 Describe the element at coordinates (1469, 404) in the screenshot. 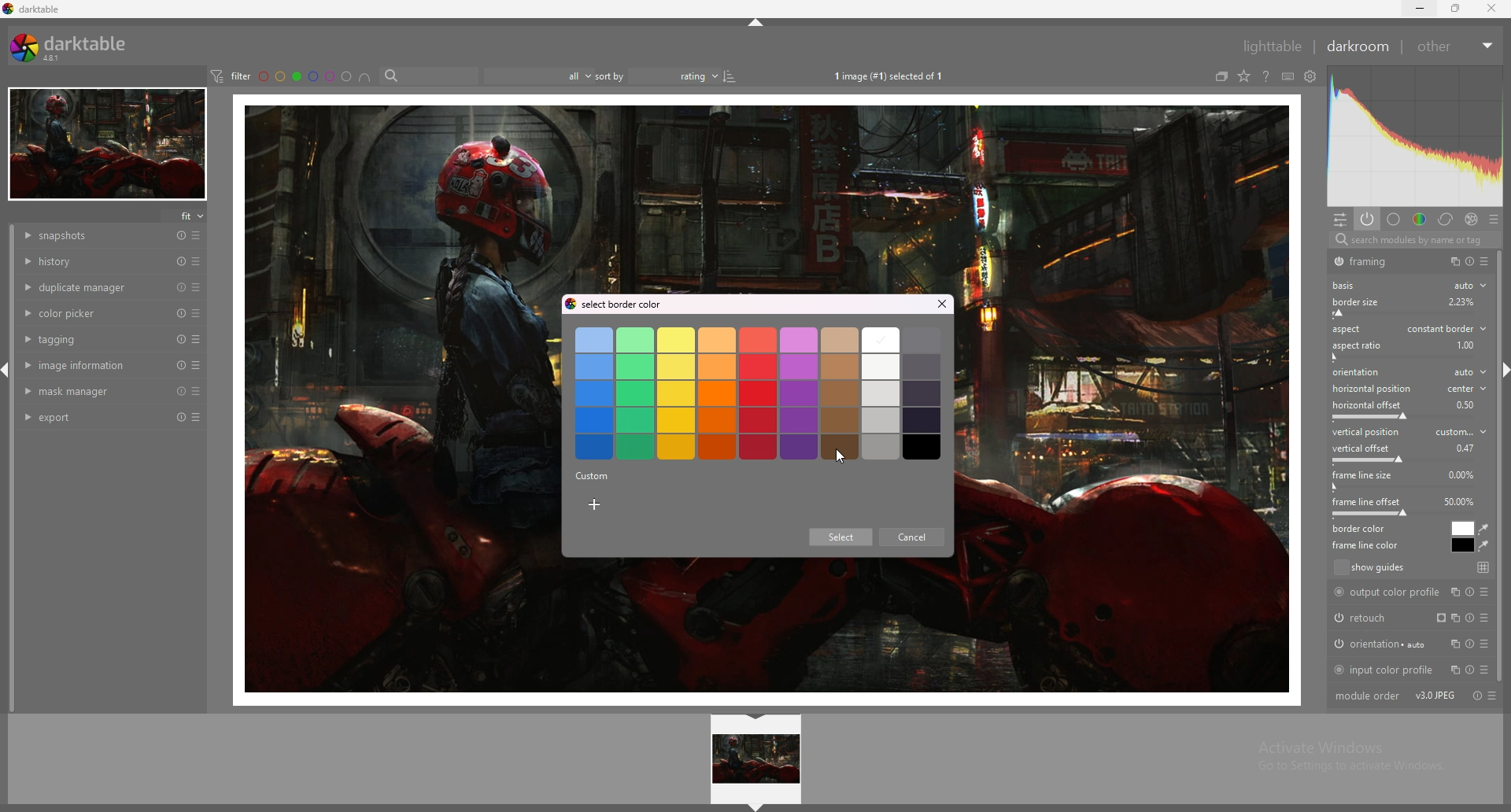

I see `percentage` at that location.